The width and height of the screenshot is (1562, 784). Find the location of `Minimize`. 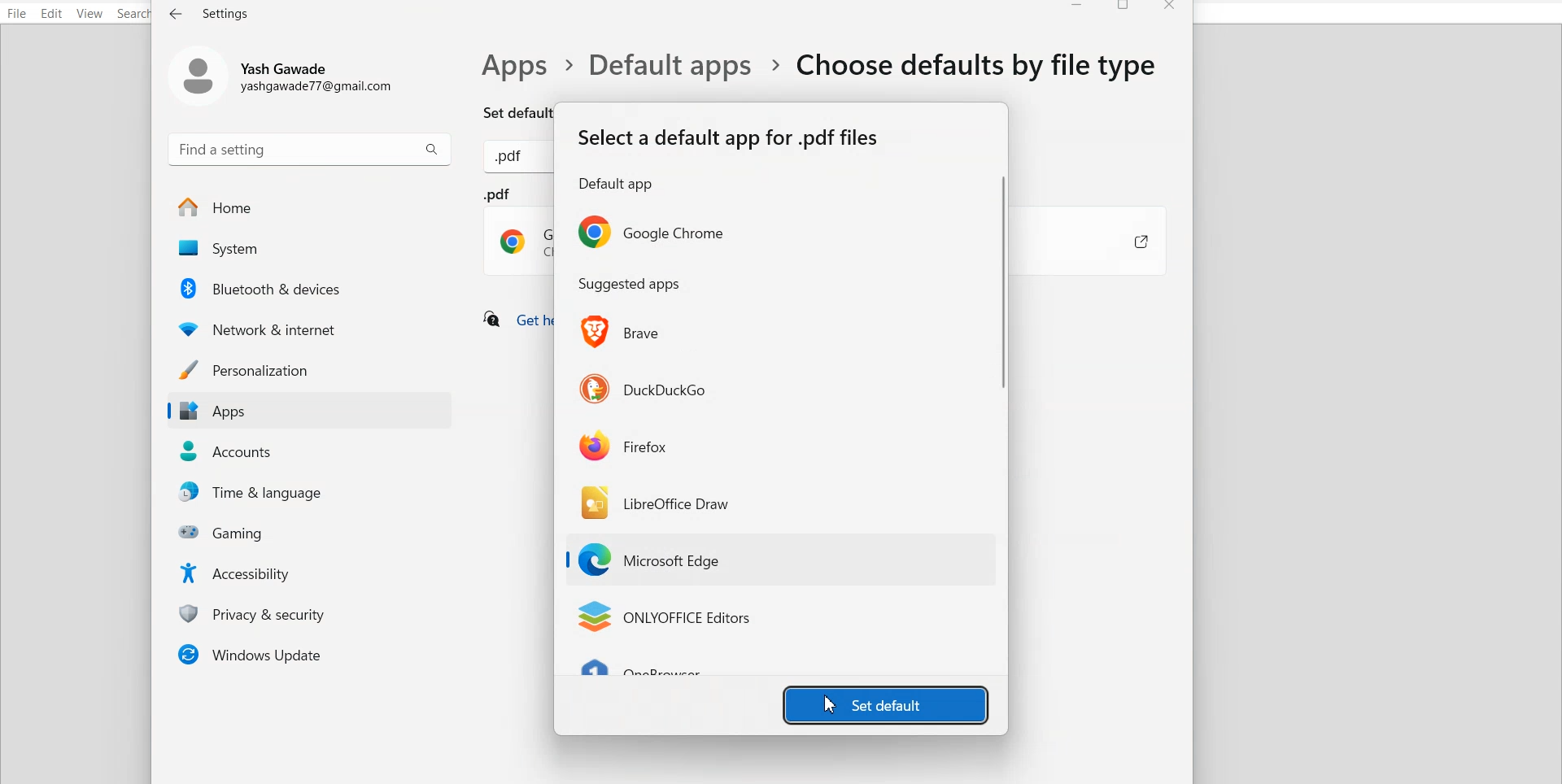

Minimize is located at coordinates (1077, 8).